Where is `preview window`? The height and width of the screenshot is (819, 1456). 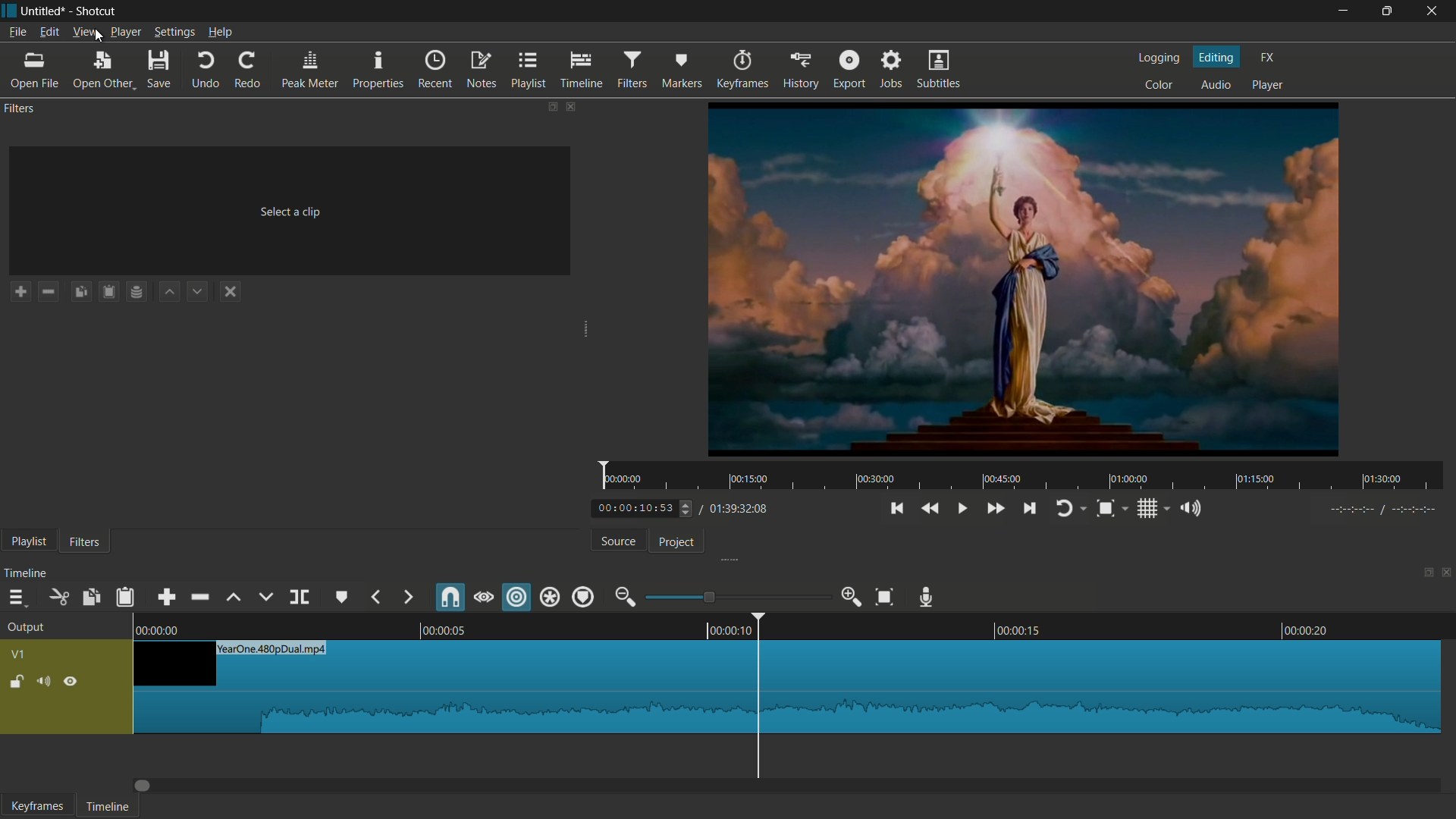
preview window is located at coordinates (1023, 278).